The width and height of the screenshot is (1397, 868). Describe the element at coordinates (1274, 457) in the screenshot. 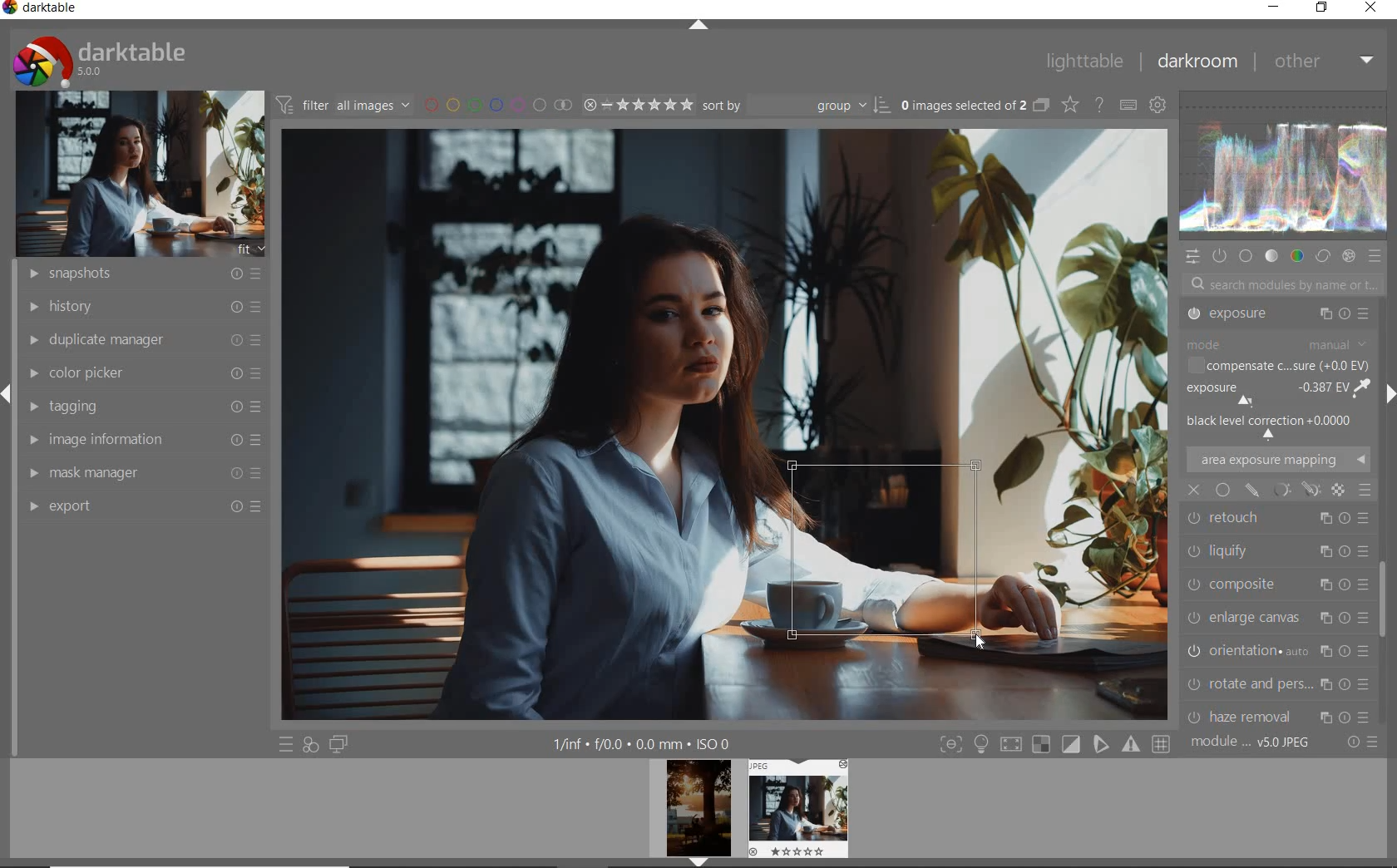

I see `LIQUIFY` at that location.